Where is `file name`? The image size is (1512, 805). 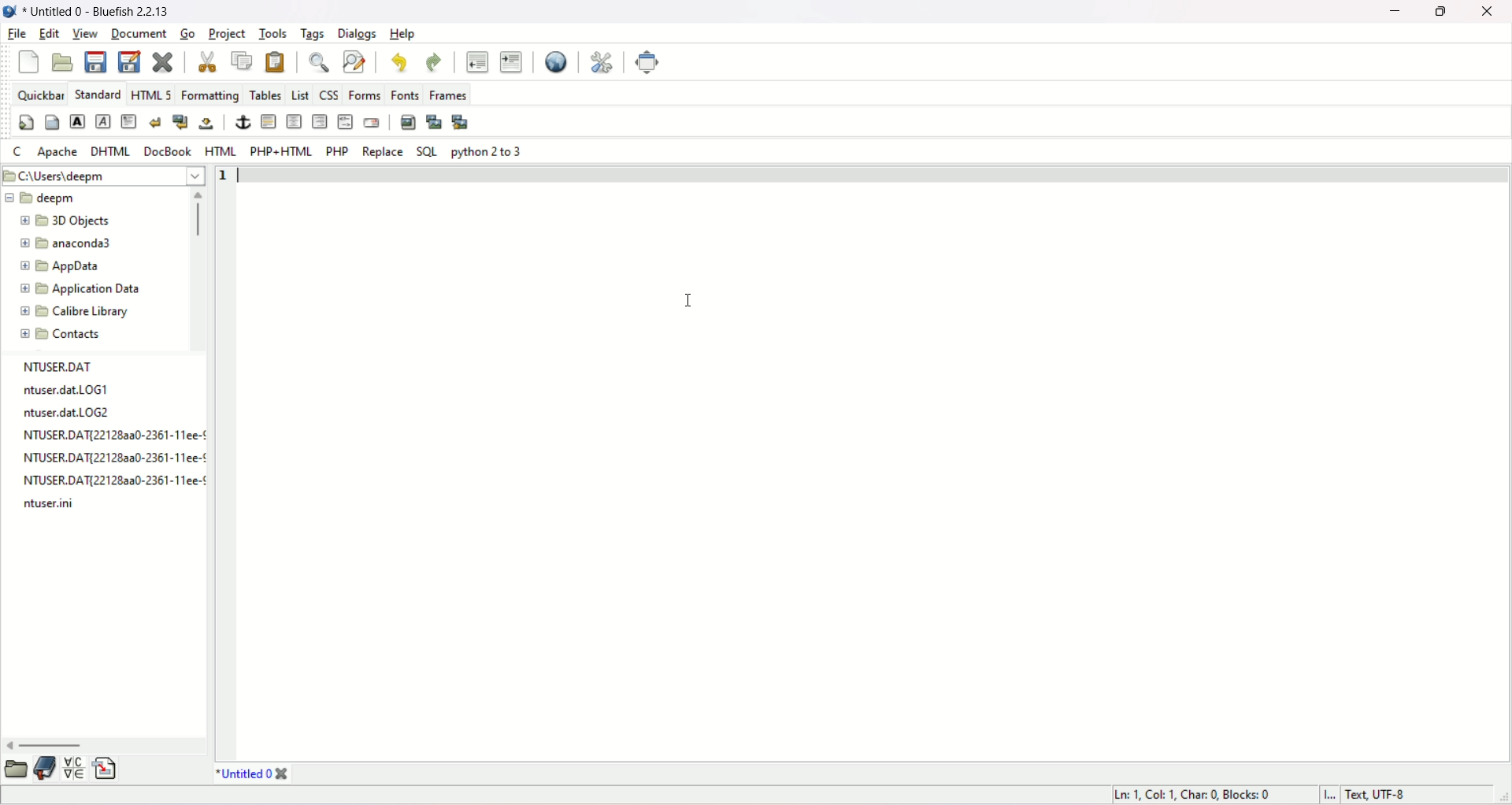
file name is located at coordinates (46, 503).